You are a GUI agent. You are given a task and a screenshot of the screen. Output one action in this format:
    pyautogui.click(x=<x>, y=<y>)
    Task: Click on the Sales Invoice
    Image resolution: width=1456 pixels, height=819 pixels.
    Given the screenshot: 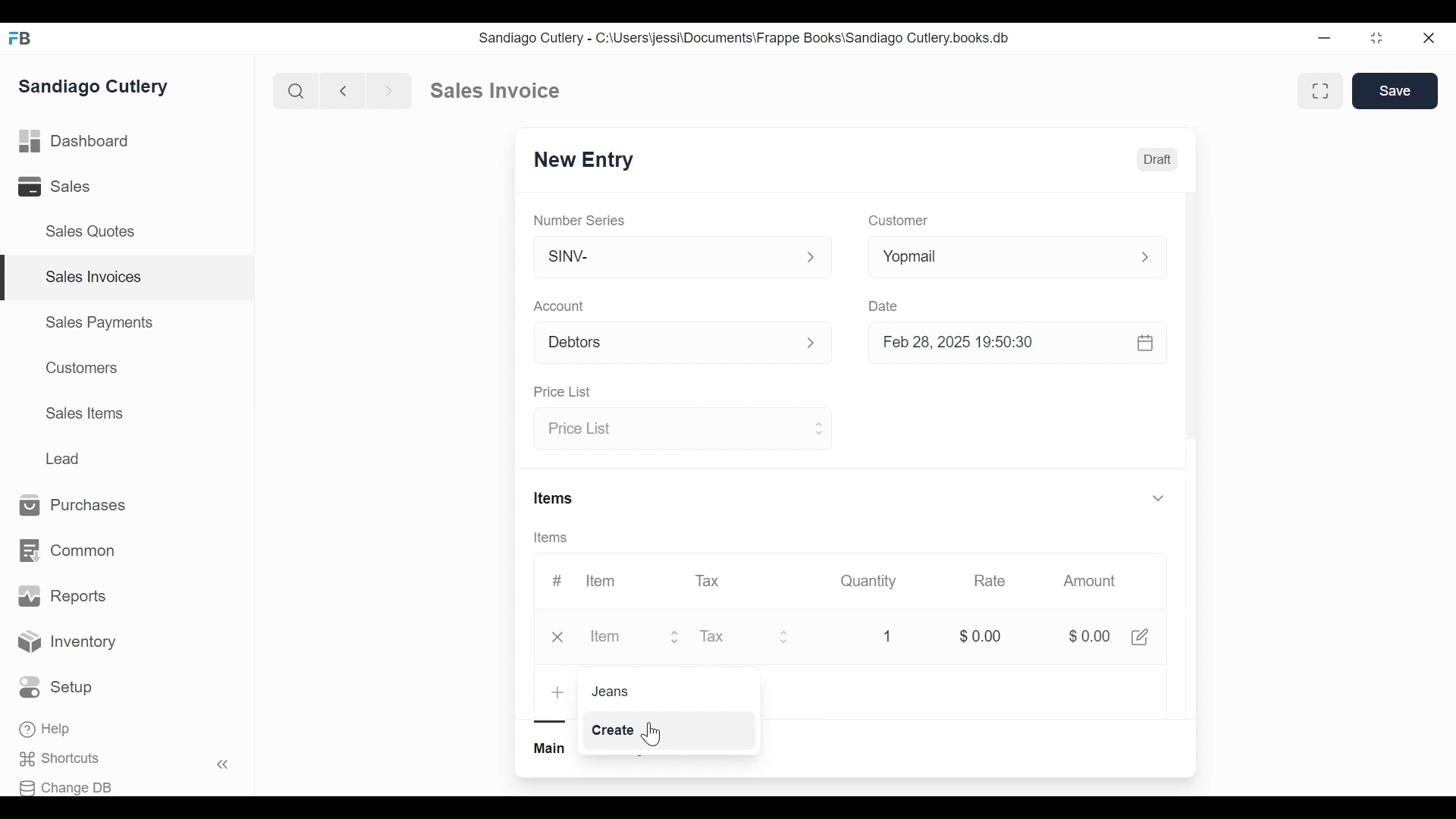 What is the action you would take?
    pyautogui.click(x=494, y=91)
    